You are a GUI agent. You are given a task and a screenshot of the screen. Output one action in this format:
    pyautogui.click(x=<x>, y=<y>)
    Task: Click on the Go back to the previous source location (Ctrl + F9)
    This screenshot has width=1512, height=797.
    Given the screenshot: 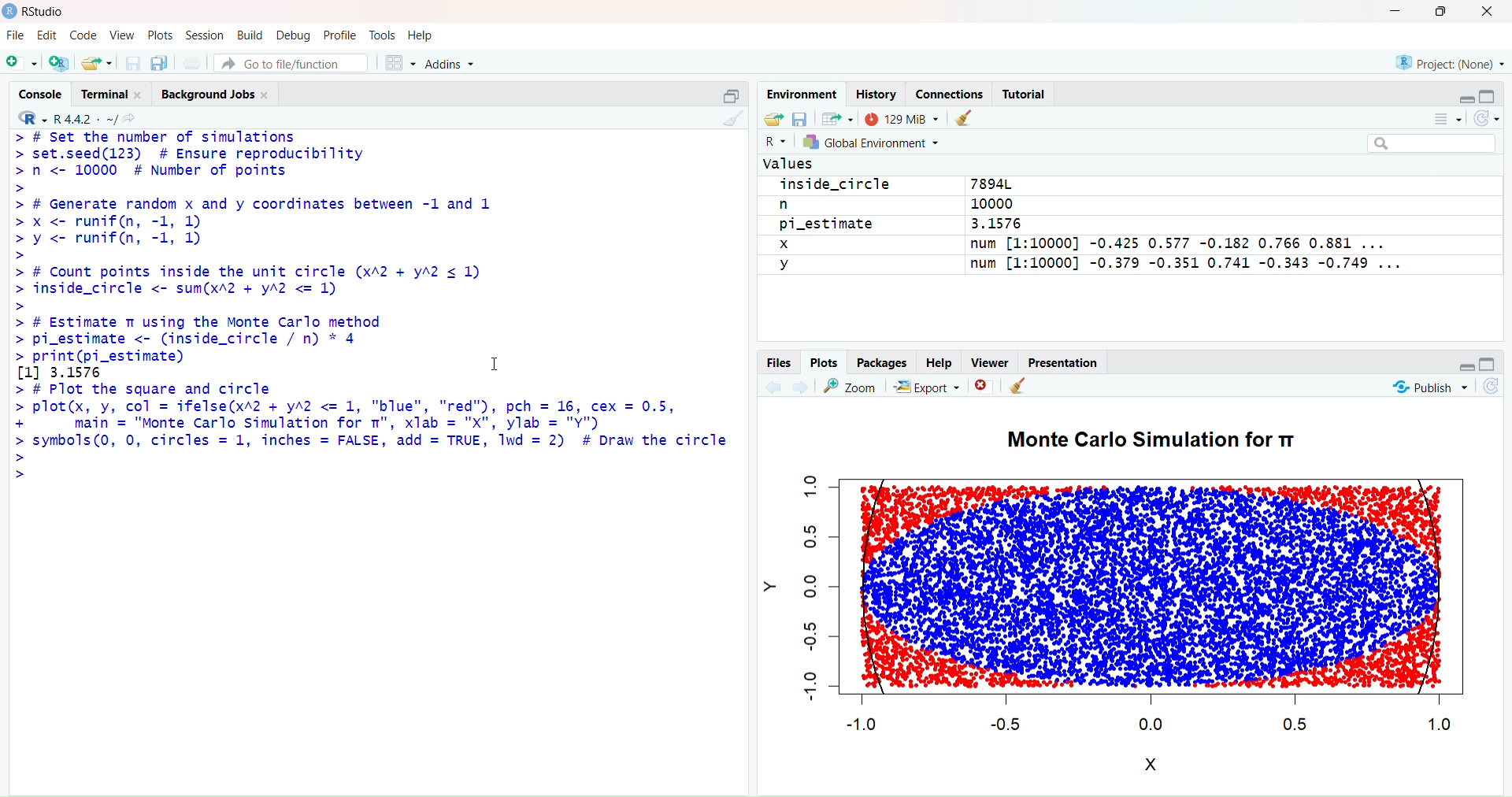 What is the action you would take?
    pyautogui.click(x=769, y=387)
    